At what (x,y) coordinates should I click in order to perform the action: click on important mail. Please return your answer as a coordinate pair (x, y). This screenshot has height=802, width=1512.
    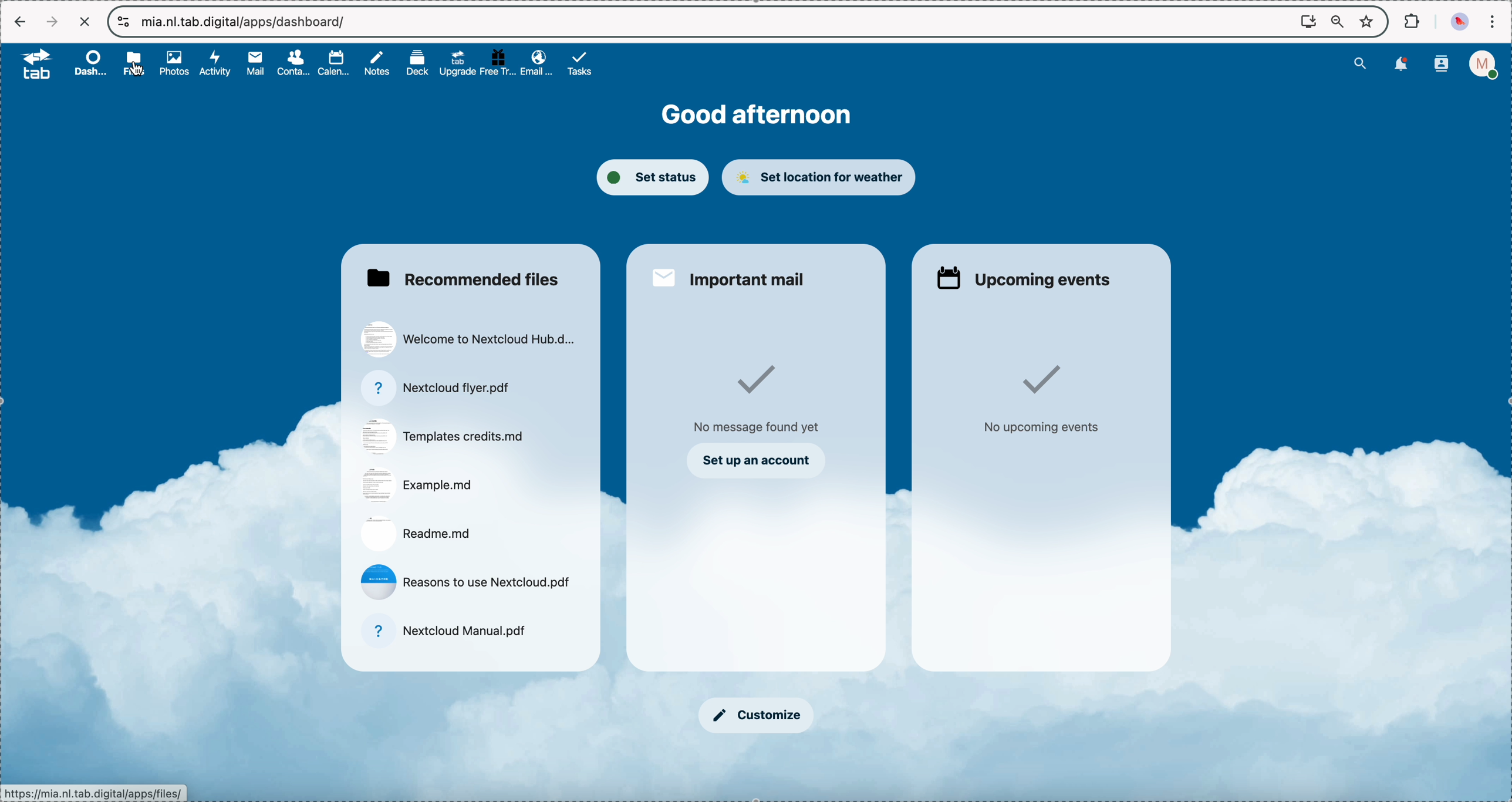
    Looking at the image, I should click on (731, 275).